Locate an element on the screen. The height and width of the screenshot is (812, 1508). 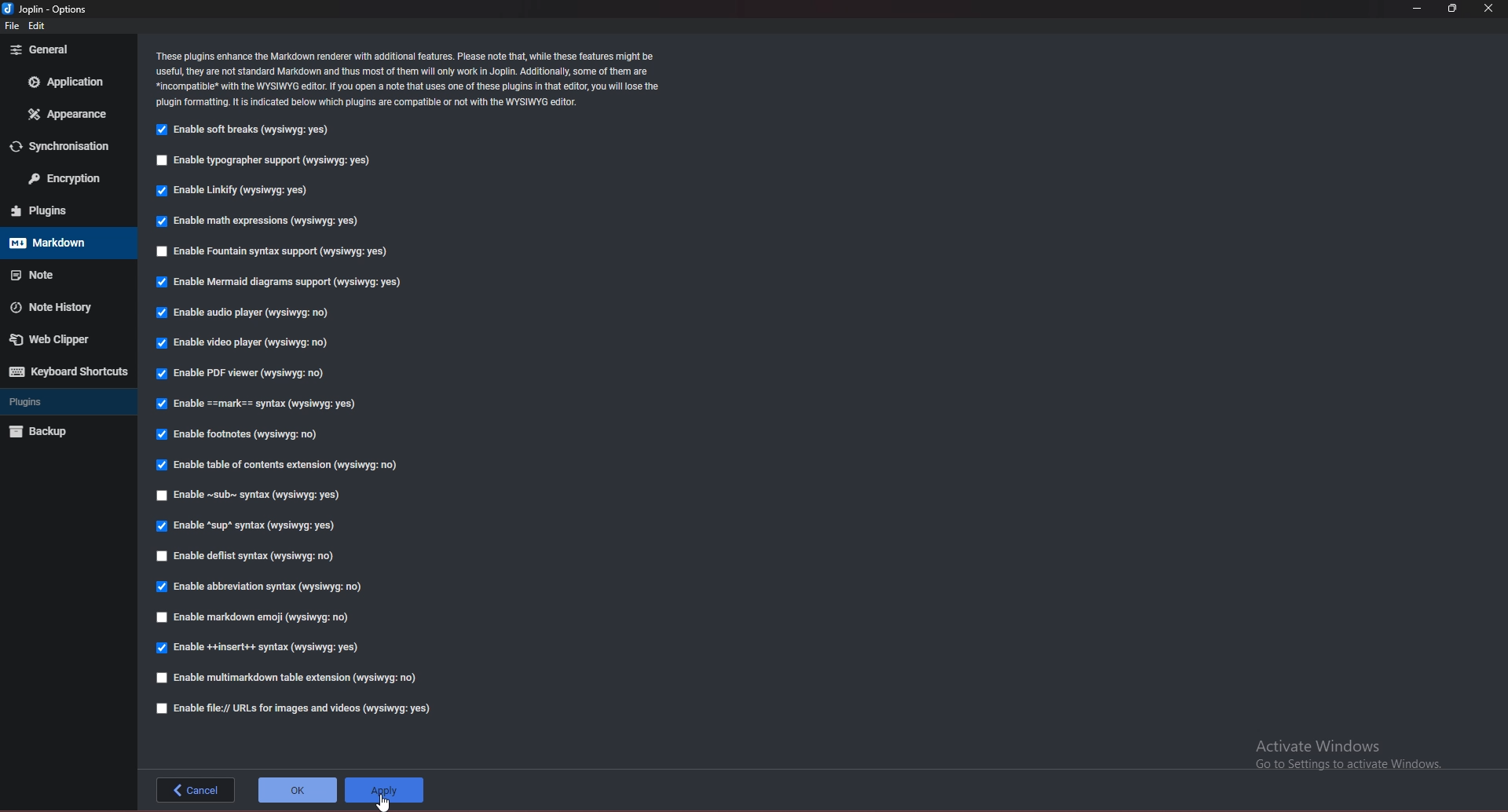
close is located at coordinates (1491, 9).